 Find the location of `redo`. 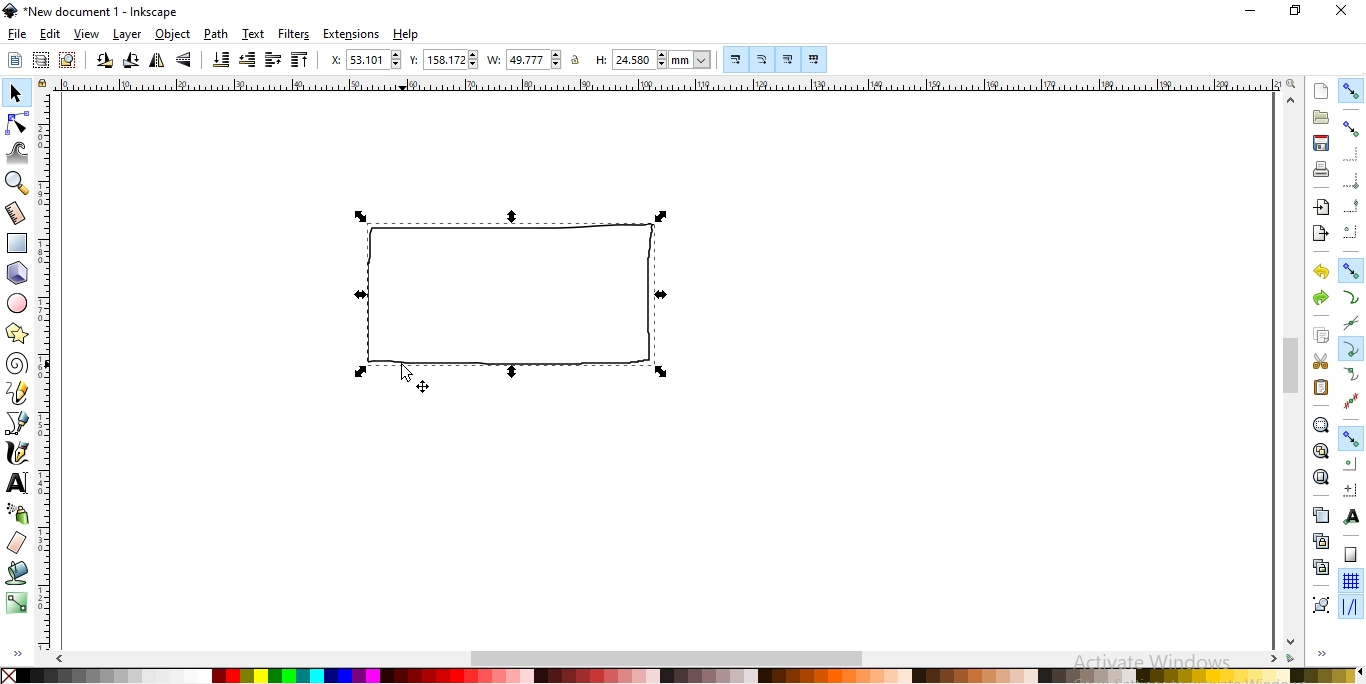

redo is located at coordinates (1320, 297).